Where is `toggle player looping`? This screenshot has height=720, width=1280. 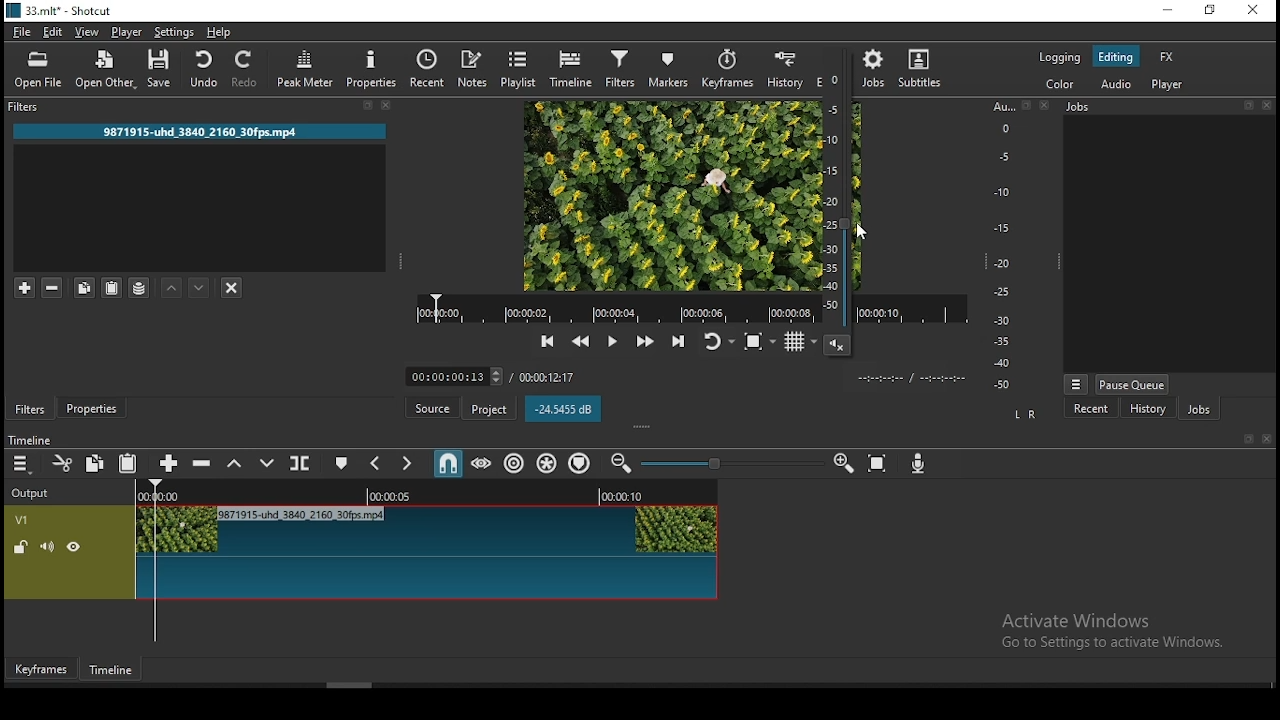 toggle player looping is located at coordinates (717, 342).